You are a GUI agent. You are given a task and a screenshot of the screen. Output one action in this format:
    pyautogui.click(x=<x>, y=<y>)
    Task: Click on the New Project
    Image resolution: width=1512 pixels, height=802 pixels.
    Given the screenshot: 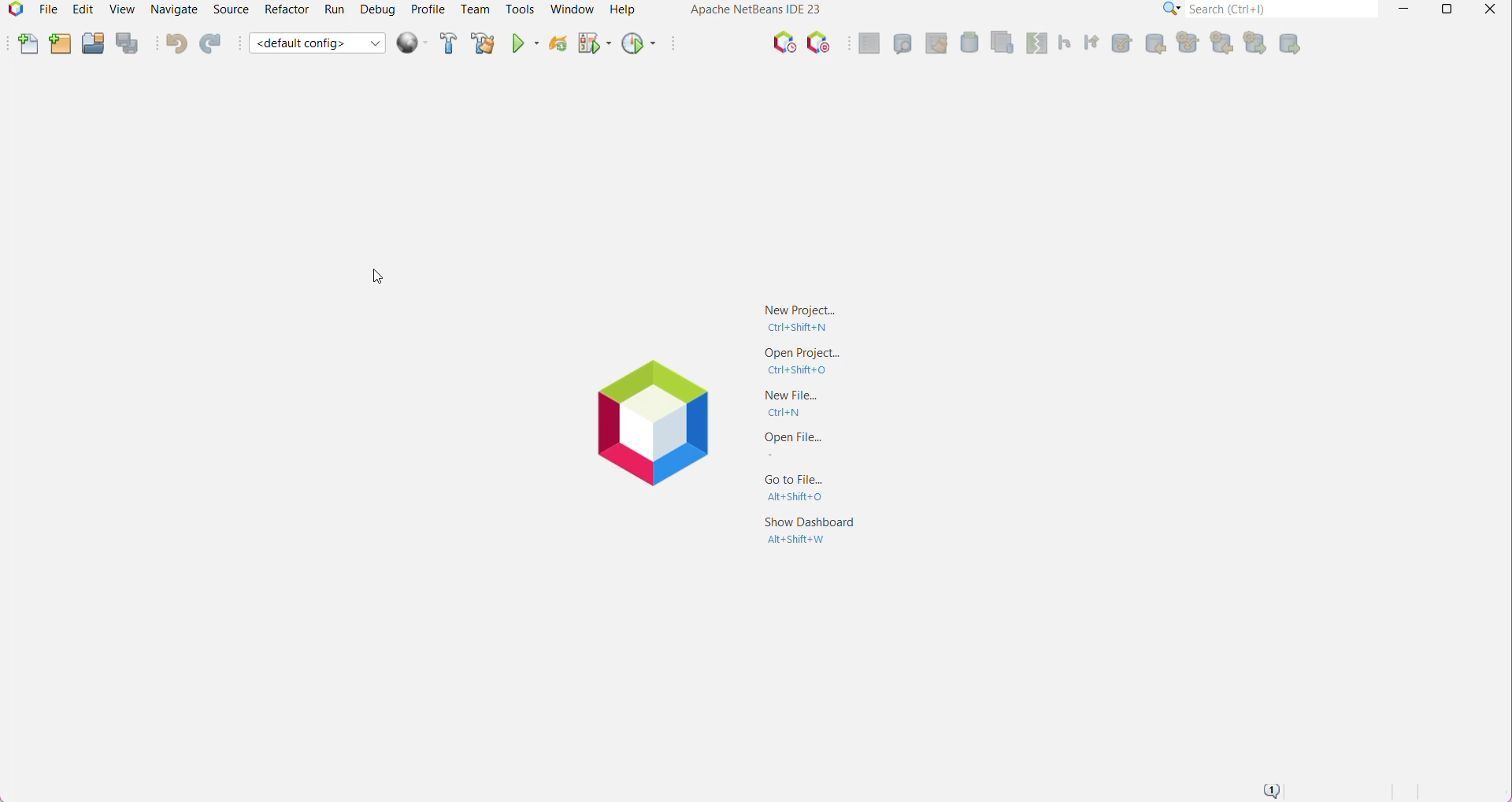 What is the action you would take?
    pyautogui.click(x=59, y=45)
    